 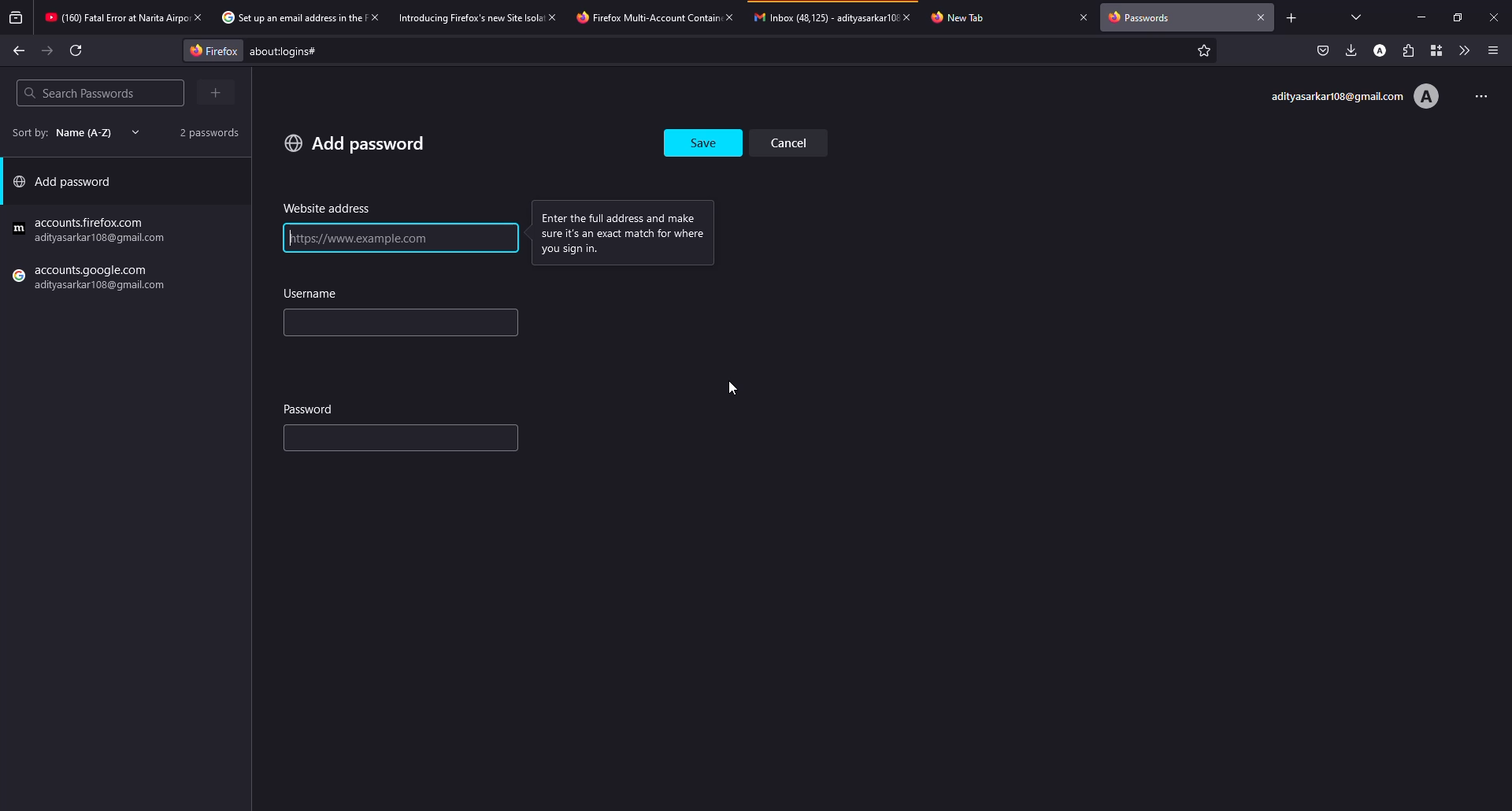 I want to click on firefox, so click(x=92, y=280).